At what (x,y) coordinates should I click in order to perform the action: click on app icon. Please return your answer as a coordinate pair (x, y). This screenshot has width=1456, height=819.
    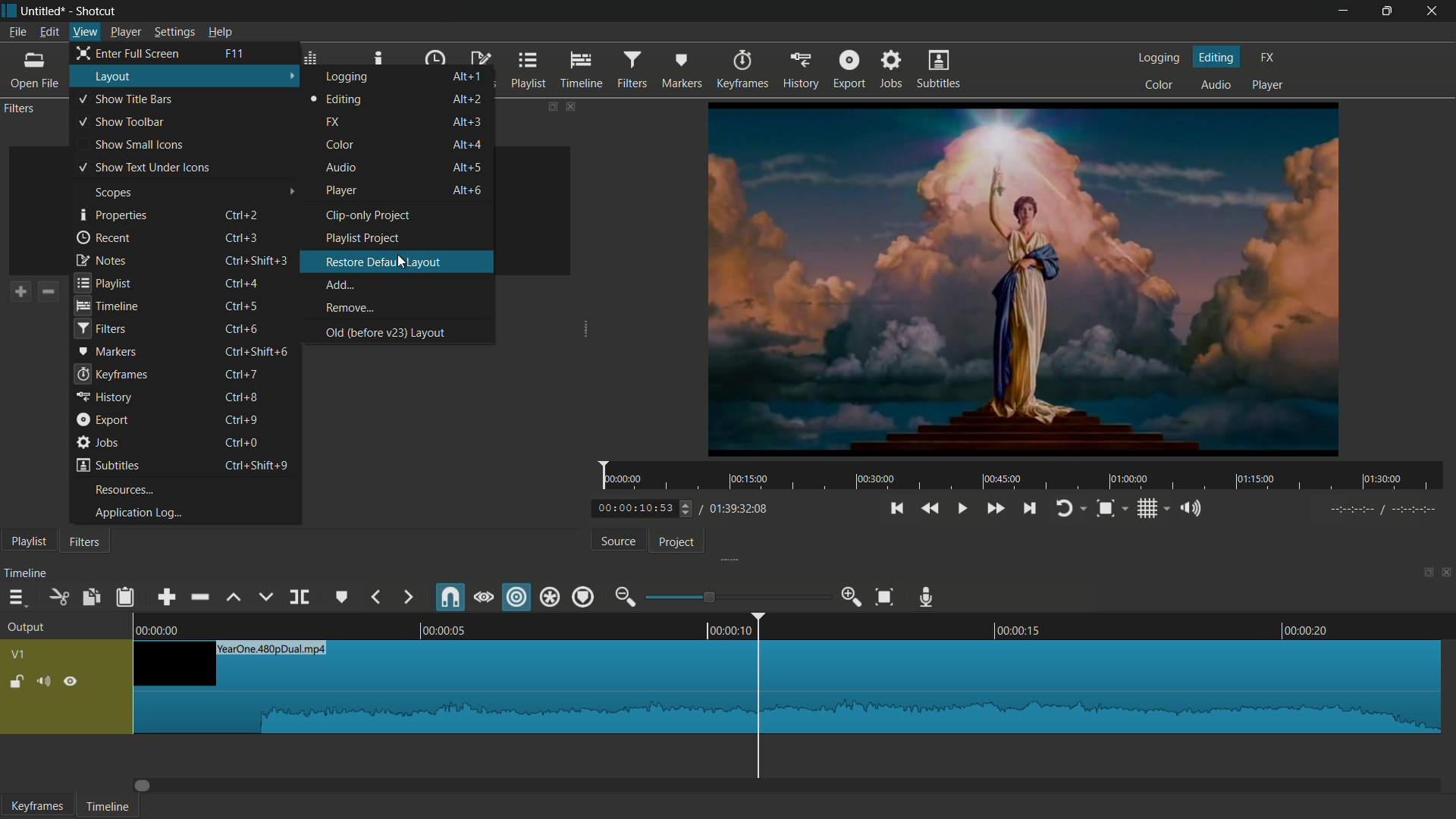
    Looking at the image, I should click on (9, 9).